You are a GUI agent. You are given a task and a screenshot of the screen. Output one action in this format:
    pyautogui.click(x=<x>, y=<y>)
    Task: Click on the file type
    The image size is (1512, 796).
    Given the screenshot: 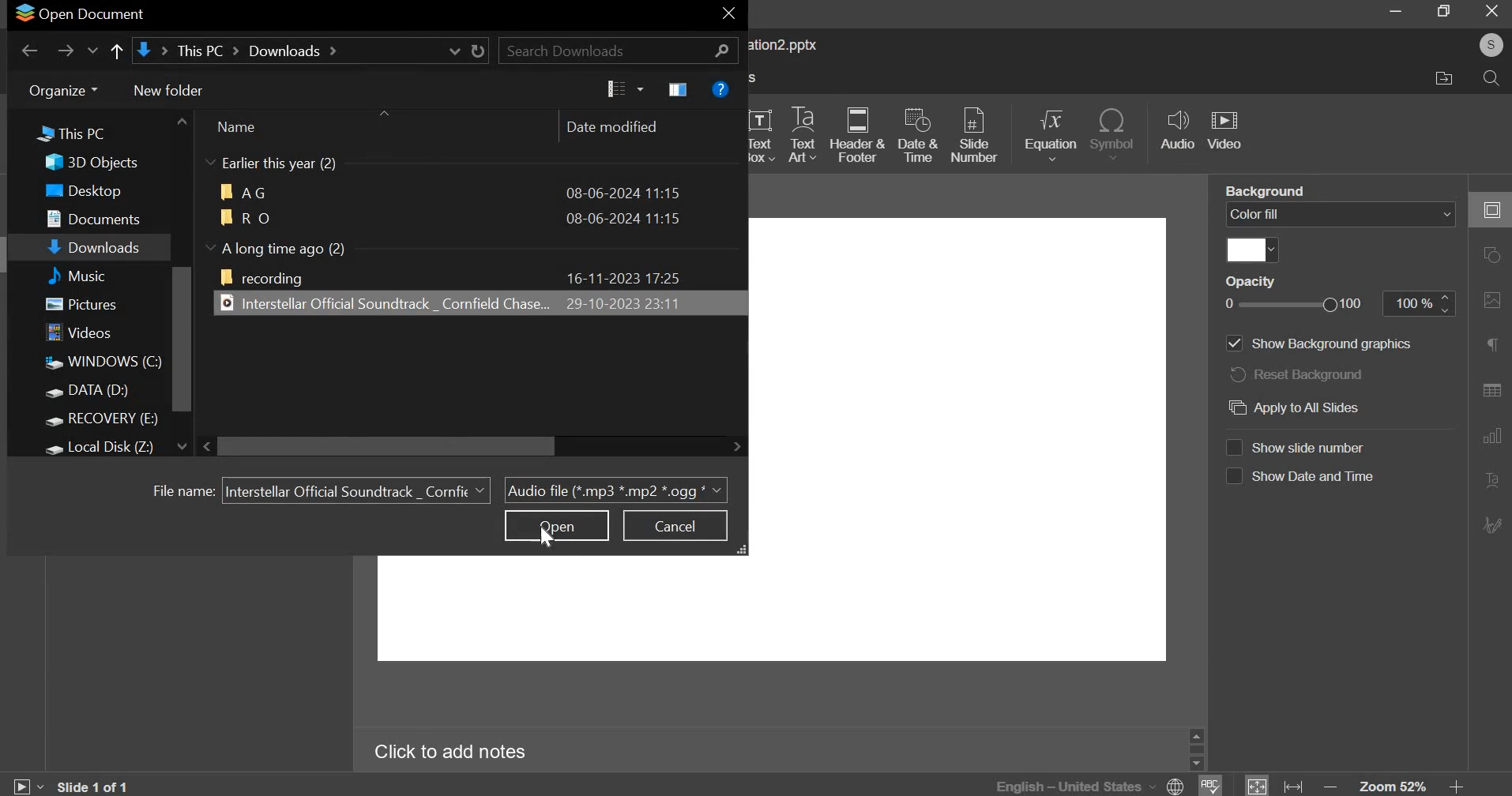 What is the action you would take?
    pyautogui.click(x=616, y=490)
    